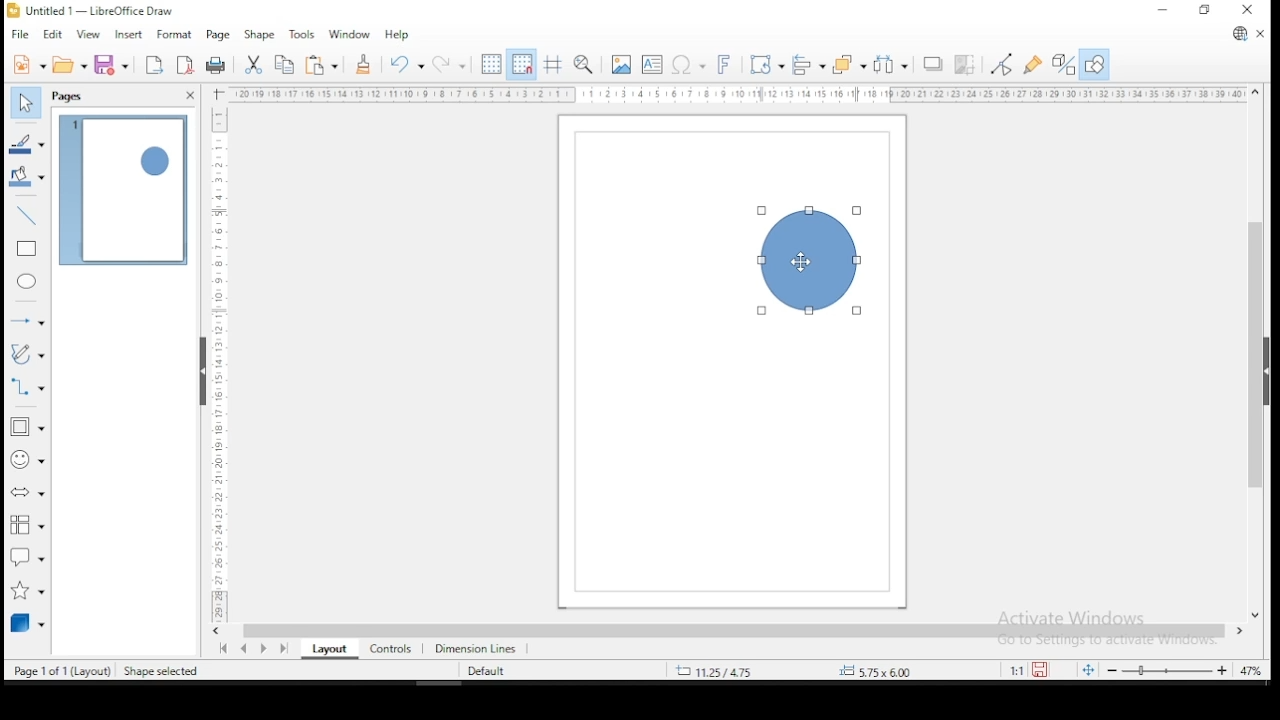 The height and width of the screenshot is (720, 1280). Describe the element at coordinates (363, 64) in the screenshot. I see `clone formatting` at that location.